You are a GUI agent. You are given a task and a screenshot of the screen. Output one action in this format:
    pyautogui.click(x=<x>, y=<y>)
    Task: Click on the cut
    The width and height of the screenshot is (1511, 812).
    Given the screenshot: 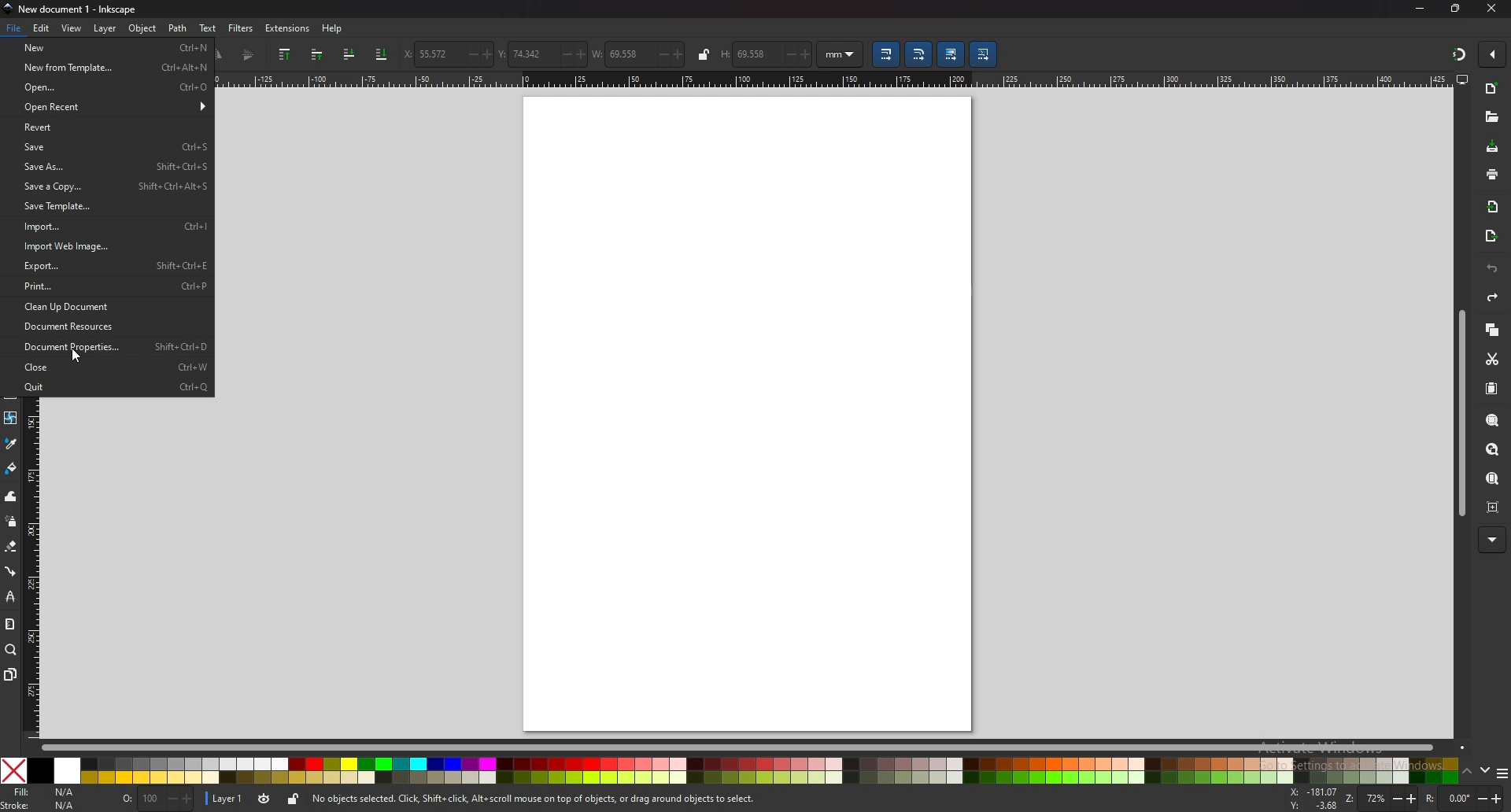 What is the action you would take?
    pyautogui.click(x=1492, y=360)
    